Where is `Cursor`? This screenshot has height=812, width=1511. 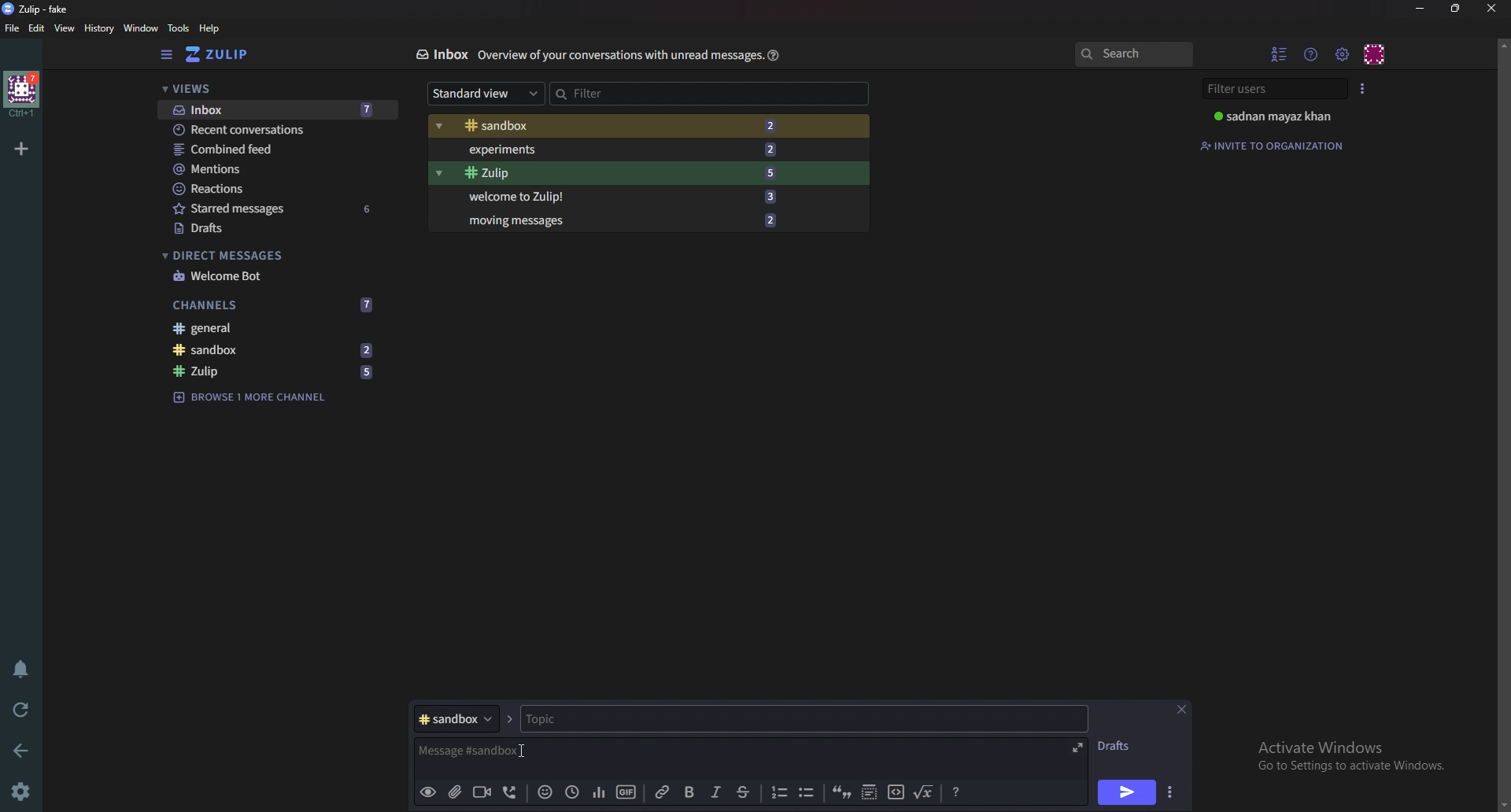 Cursor is located at coordinates (523, 751).